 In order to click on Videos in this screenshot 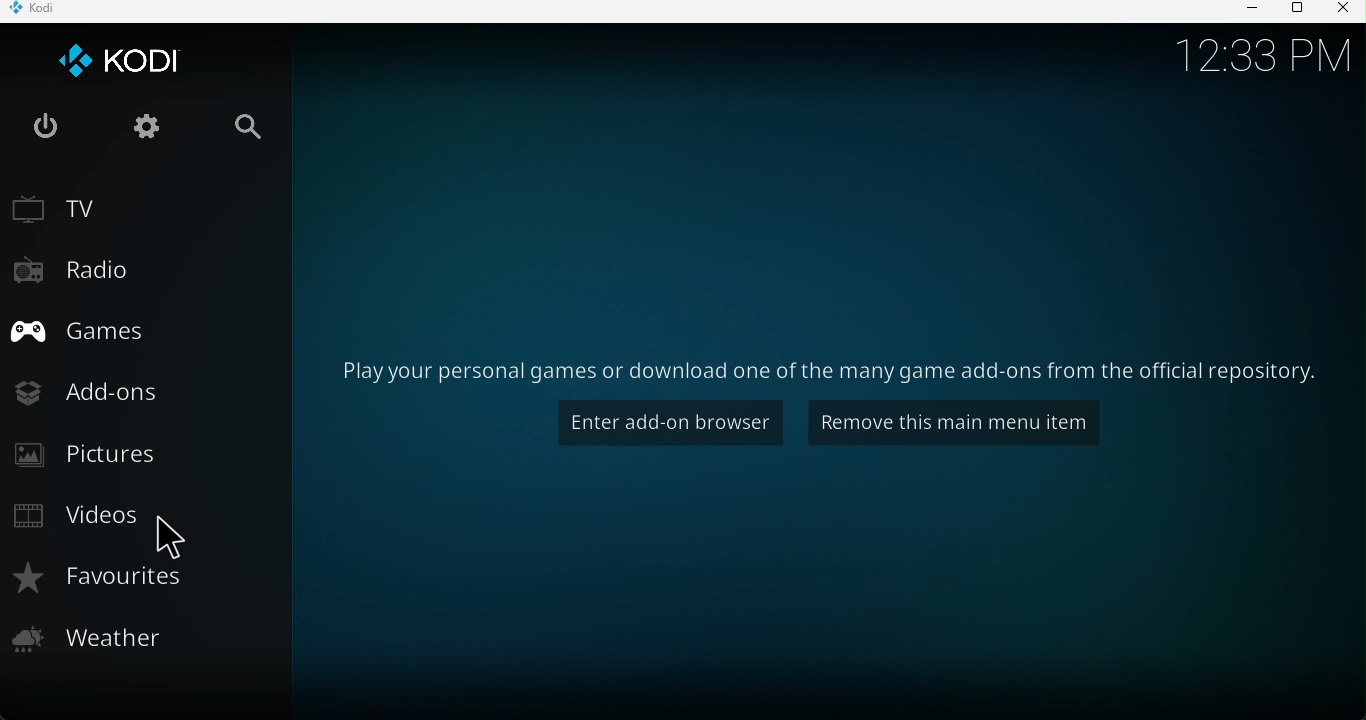, I will do `click(75, 518)`.